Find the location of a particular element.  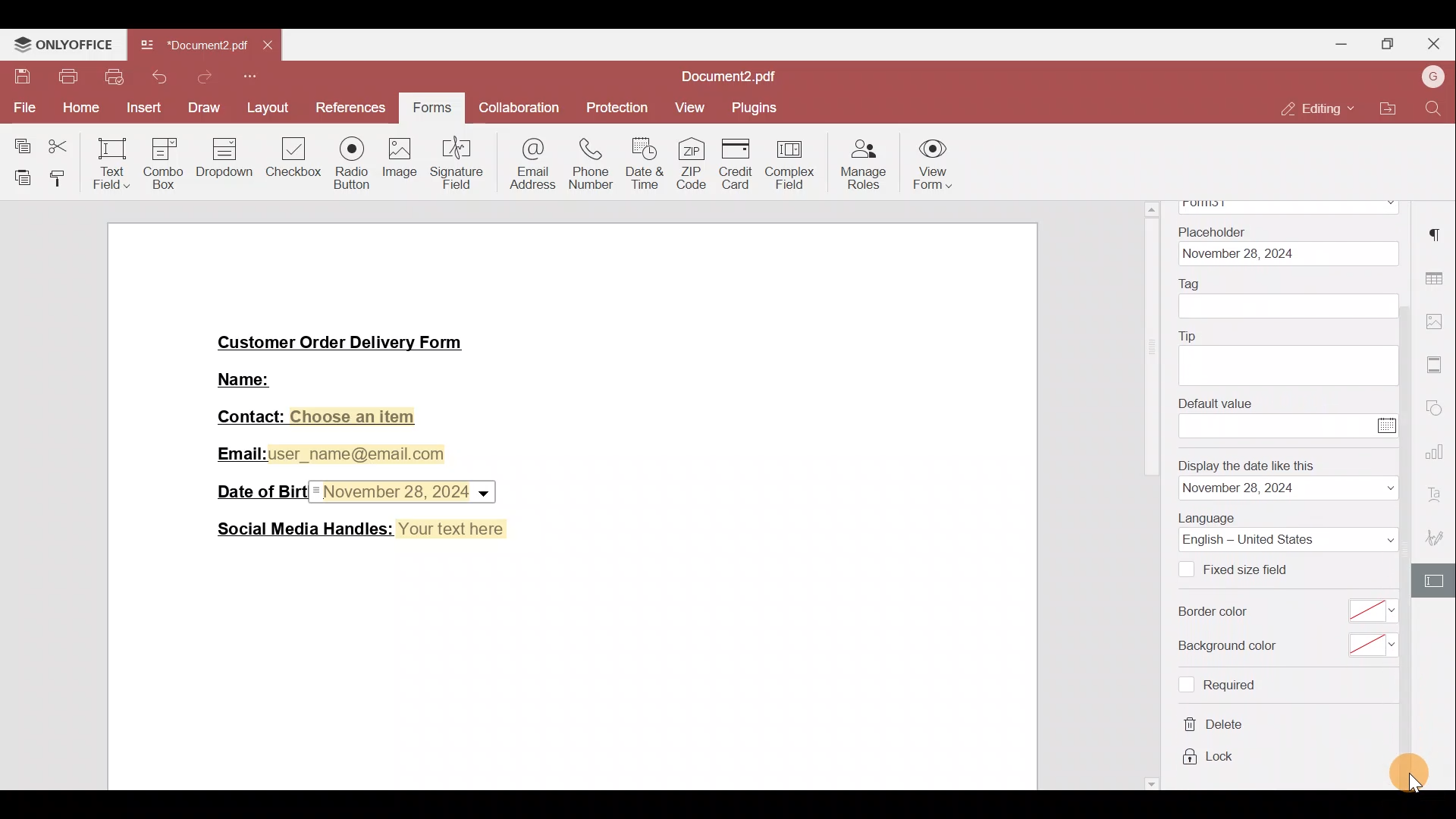

ZIP code is located at coordinates (695, 165).